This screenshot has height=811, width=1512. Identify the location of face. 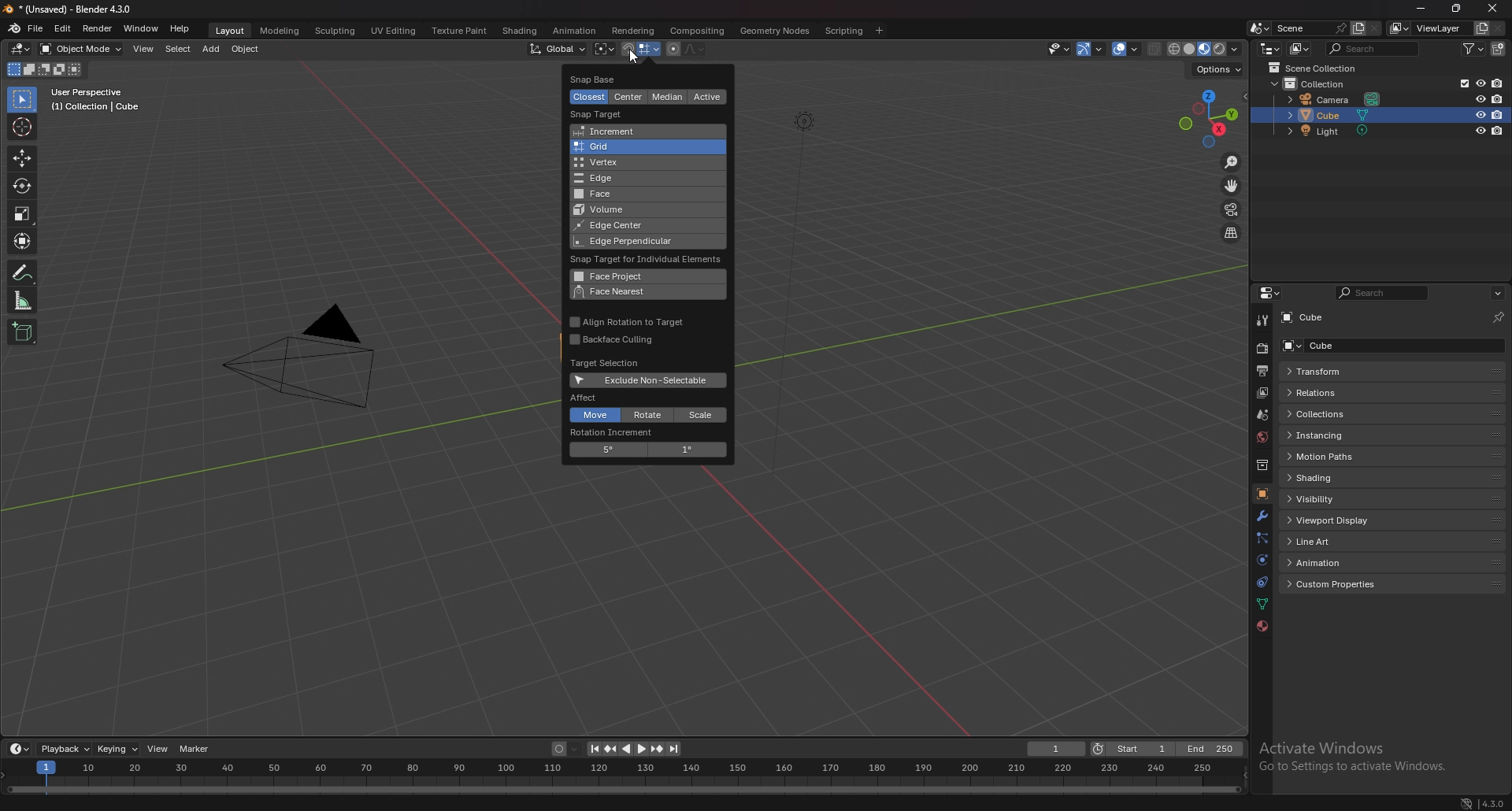
(638, 193).